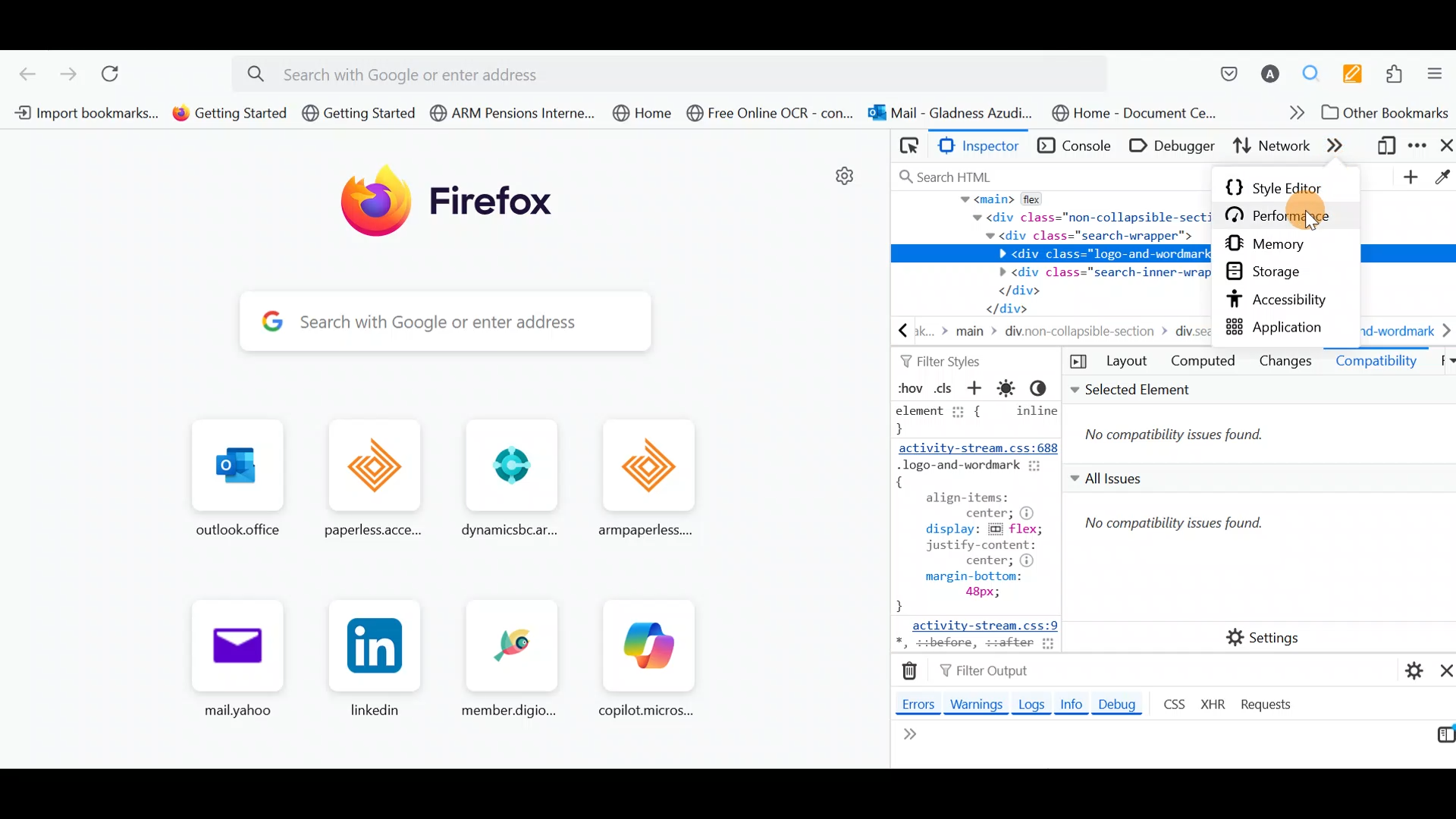 The height and width of the screenshot is (819, 1456). What do you see at coordinates (912, 672) in the screenshot?
I see `Clear web console output` at bounding box center [912, 672].